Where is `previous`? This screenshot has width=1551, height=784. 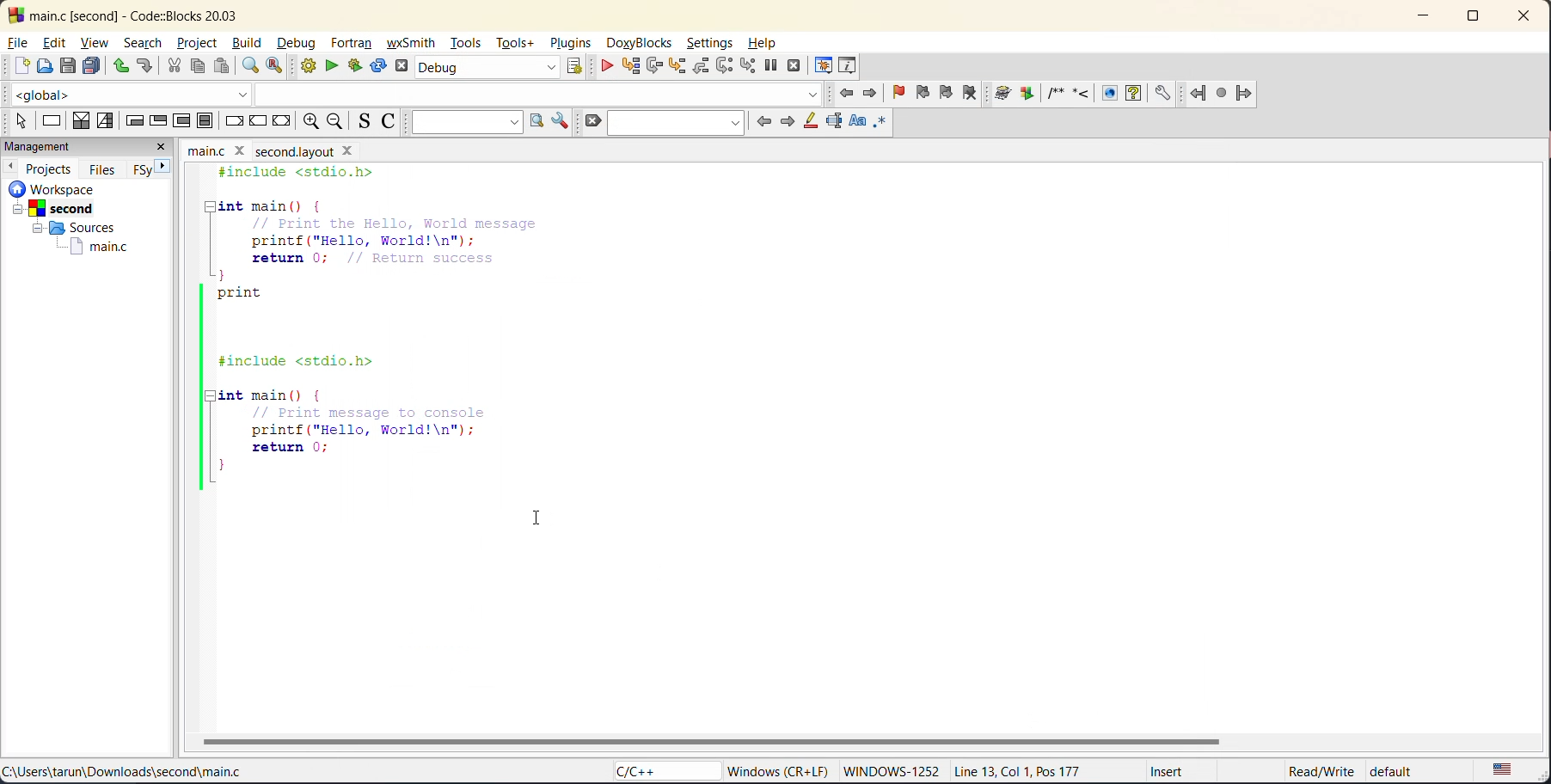 previous is located at coordinates (10, 166).